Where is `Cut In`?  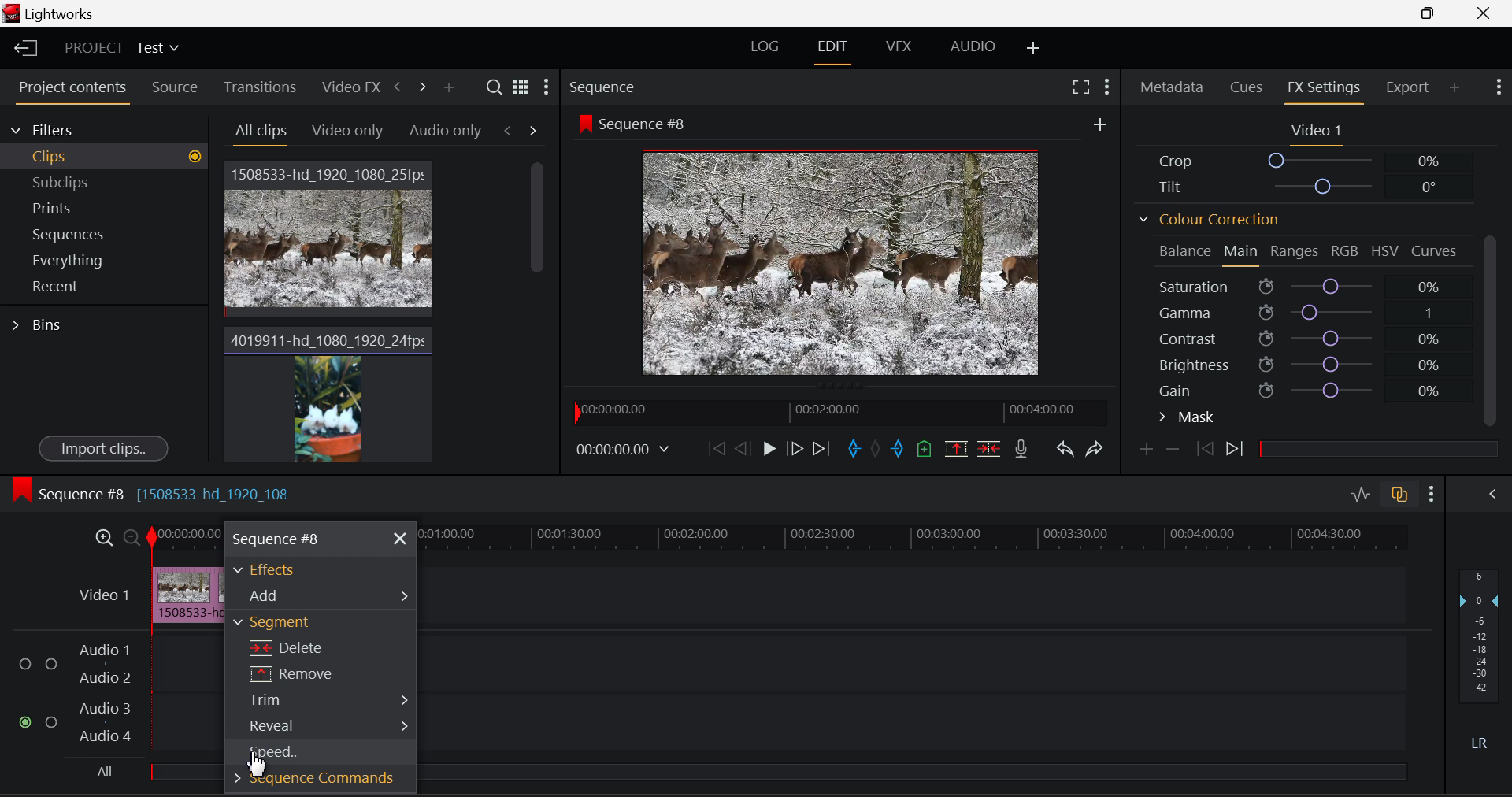 Cut In is located at coordinates (852, 449).